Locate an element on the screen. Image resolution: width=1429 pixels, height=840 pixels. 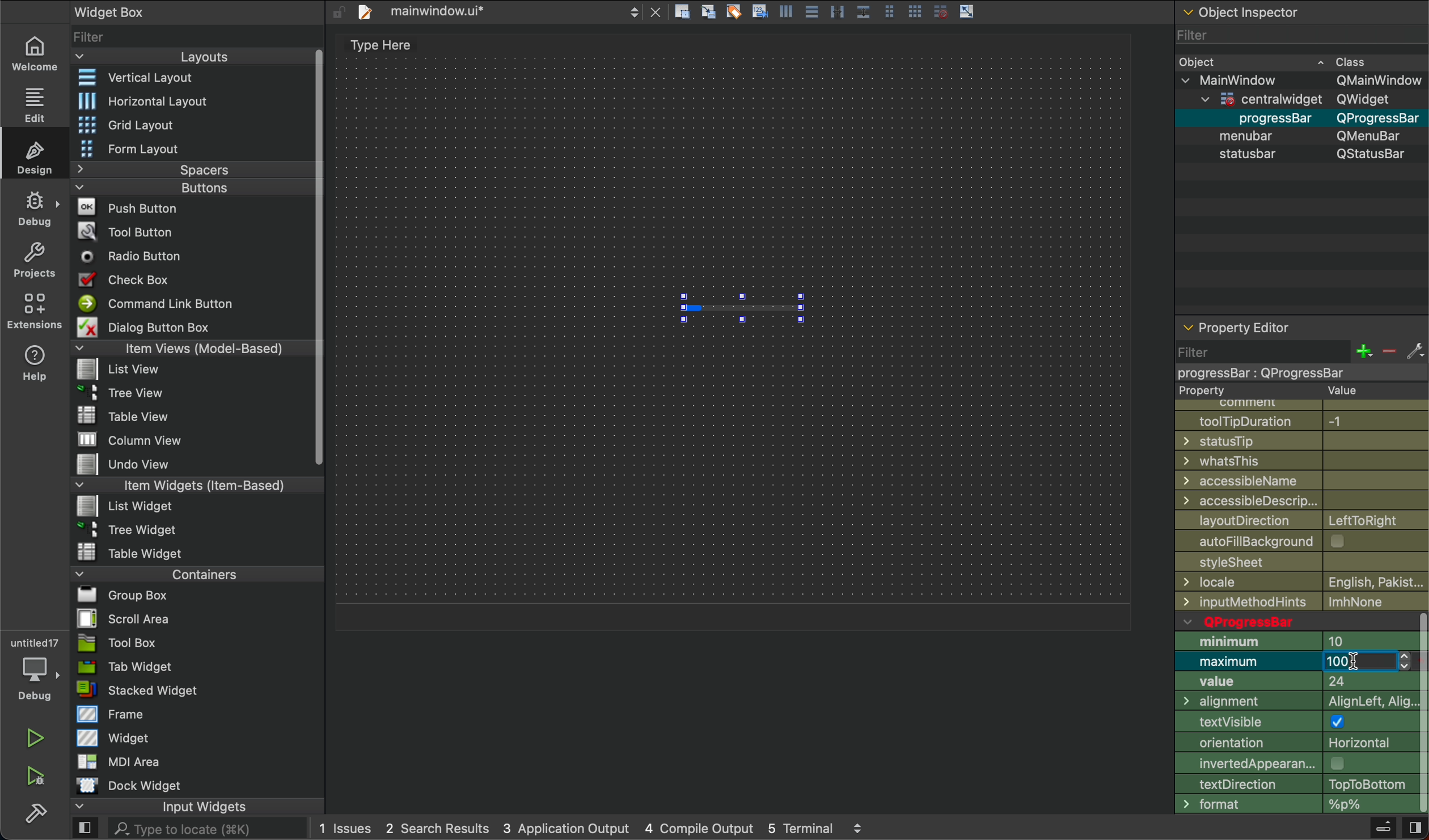
value is located at coordinates (1294, 684).